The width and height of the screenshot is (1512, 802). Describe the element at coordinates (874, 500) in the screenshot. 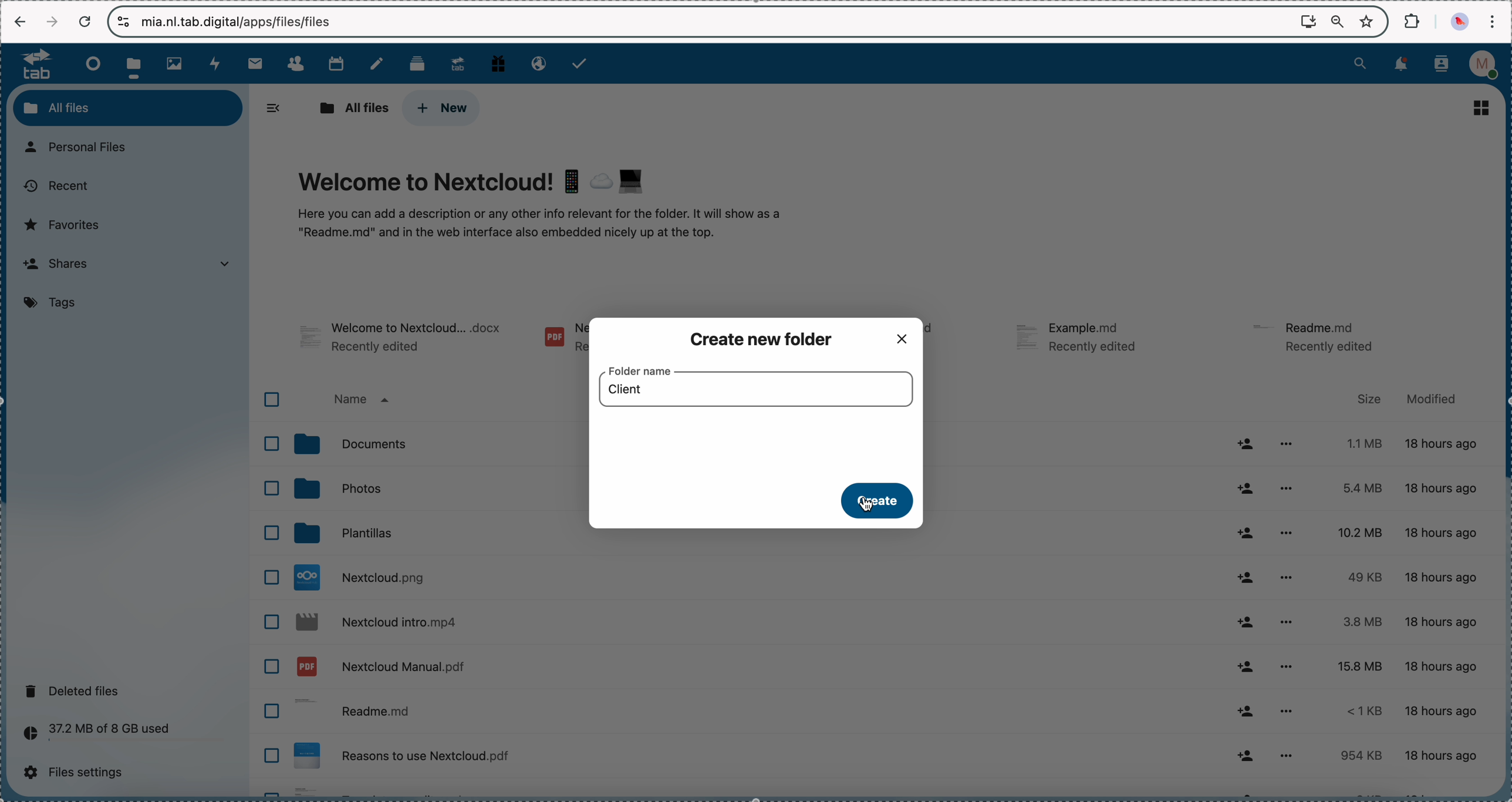

I see `create button` at that location.